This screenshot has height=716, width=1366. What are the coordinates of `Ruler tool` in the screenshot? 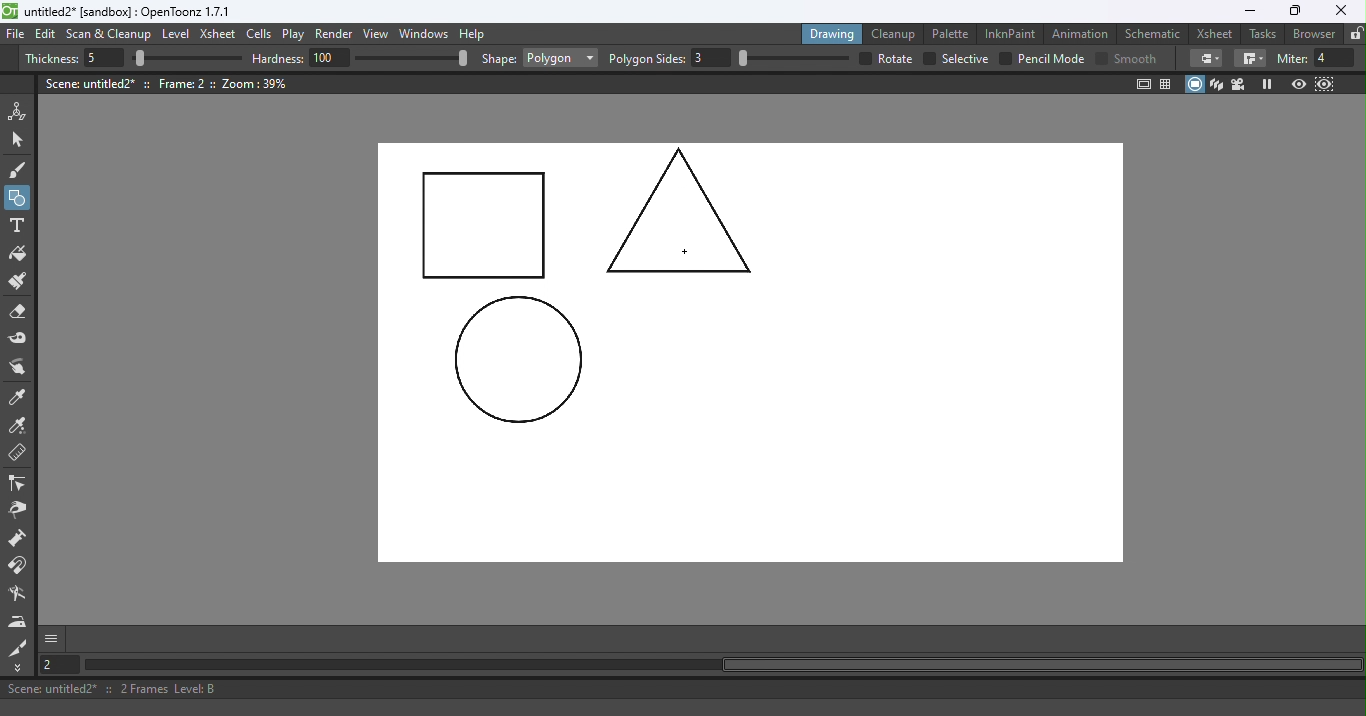 It's located at (18, 455).